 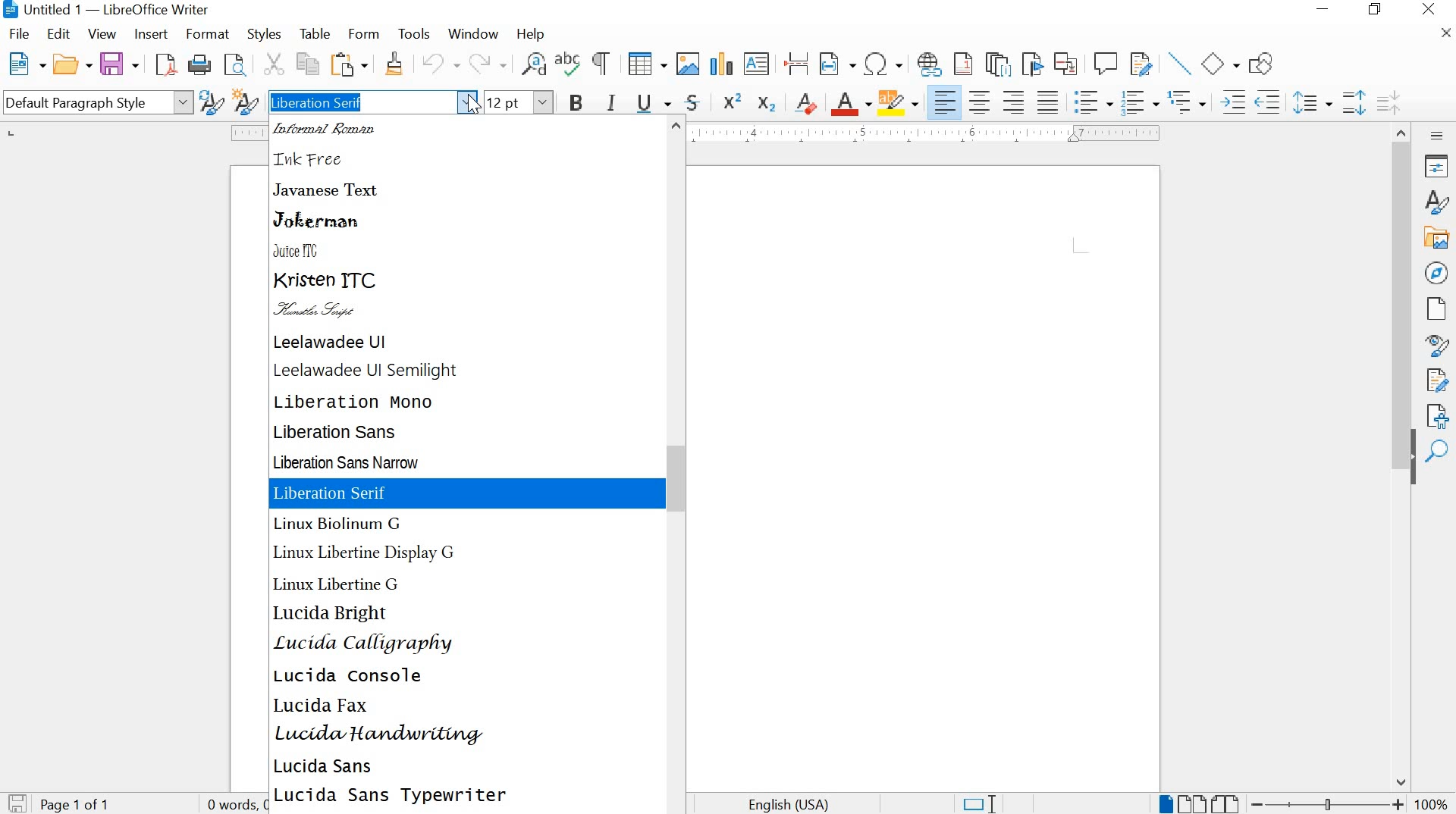 What do you see at coordinates (1387, 101) in the screenshot?
I see `DECREASE PARAGRAPH SPACING` at bounding box center [1387, 101].